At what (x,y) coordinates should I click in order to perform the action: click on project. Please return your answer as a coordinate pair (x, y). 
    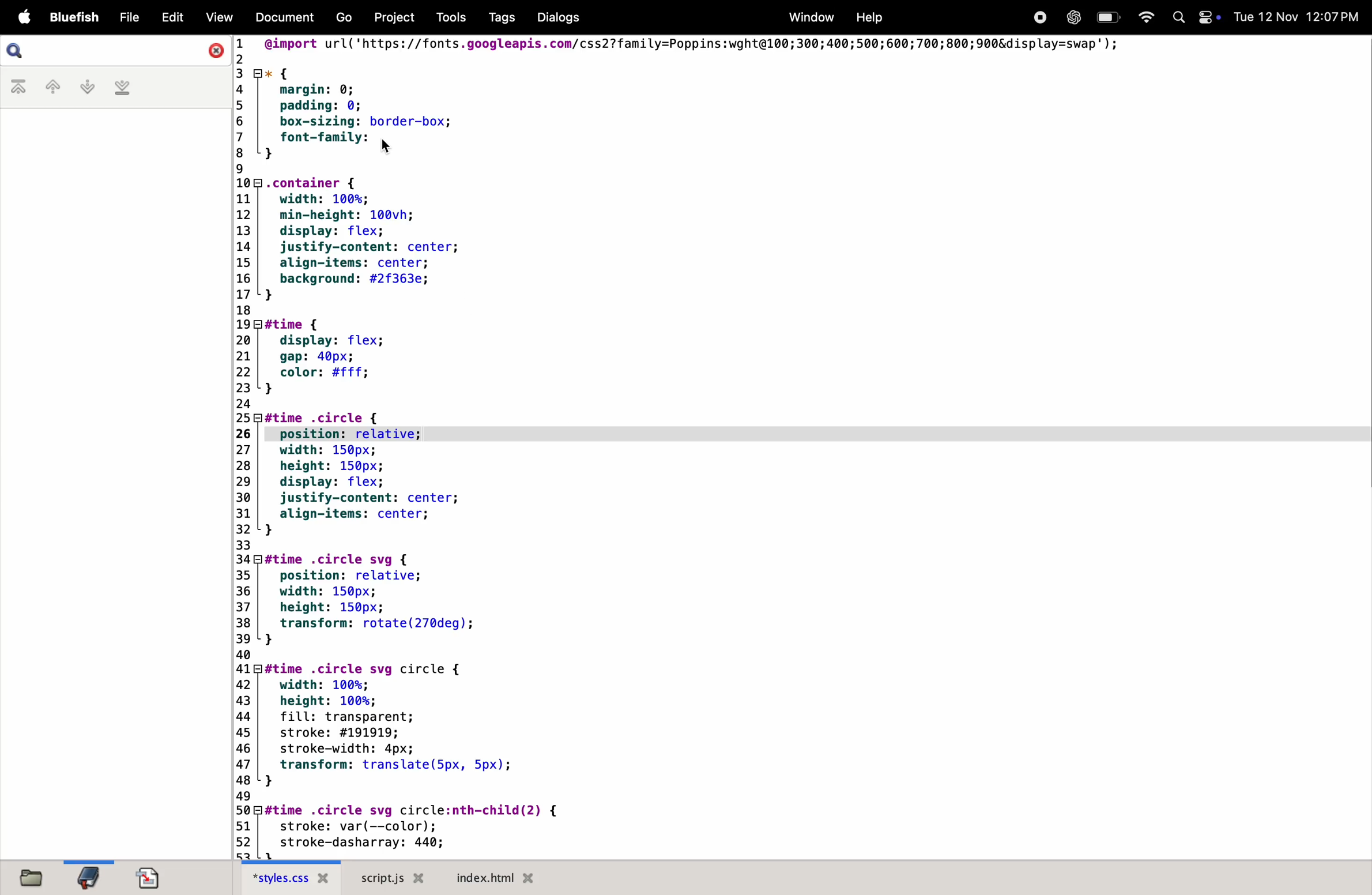
    Looking at the image, I should click on (390, 17).